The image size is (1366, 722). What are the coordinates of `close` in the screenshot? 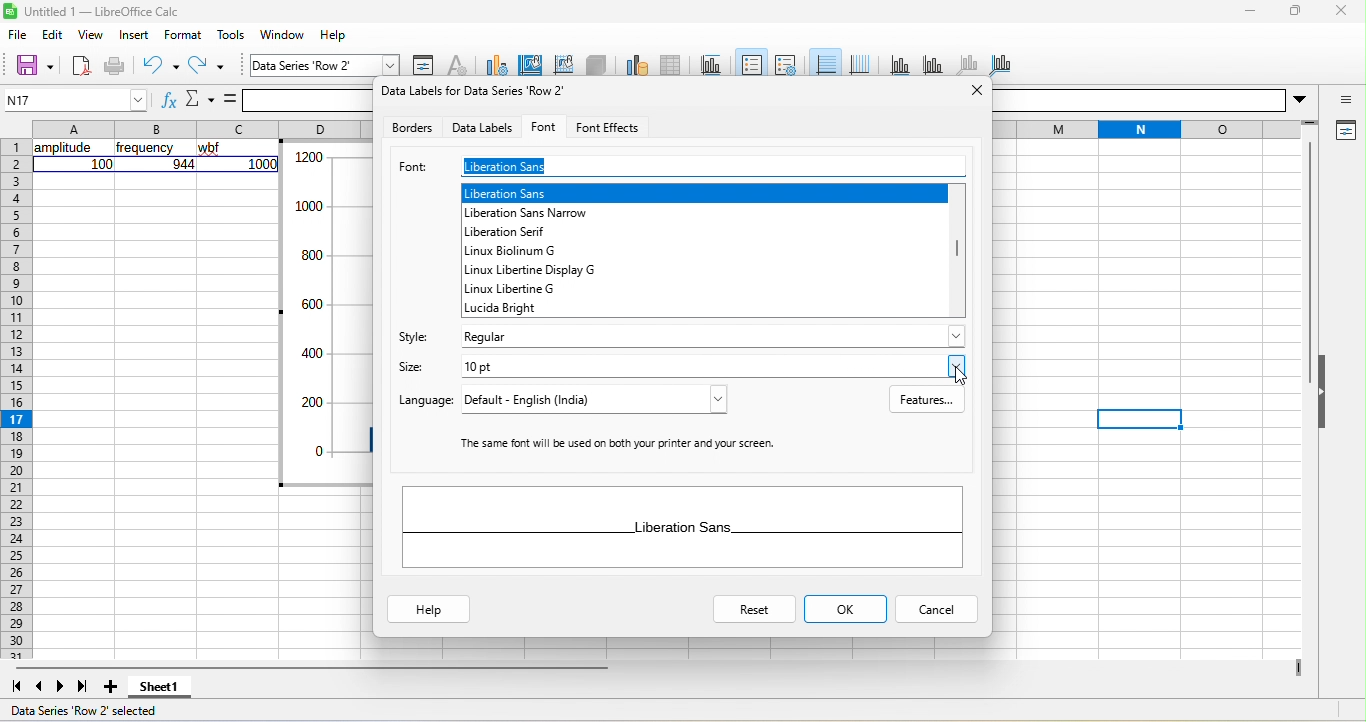 It's located at (976, 96).